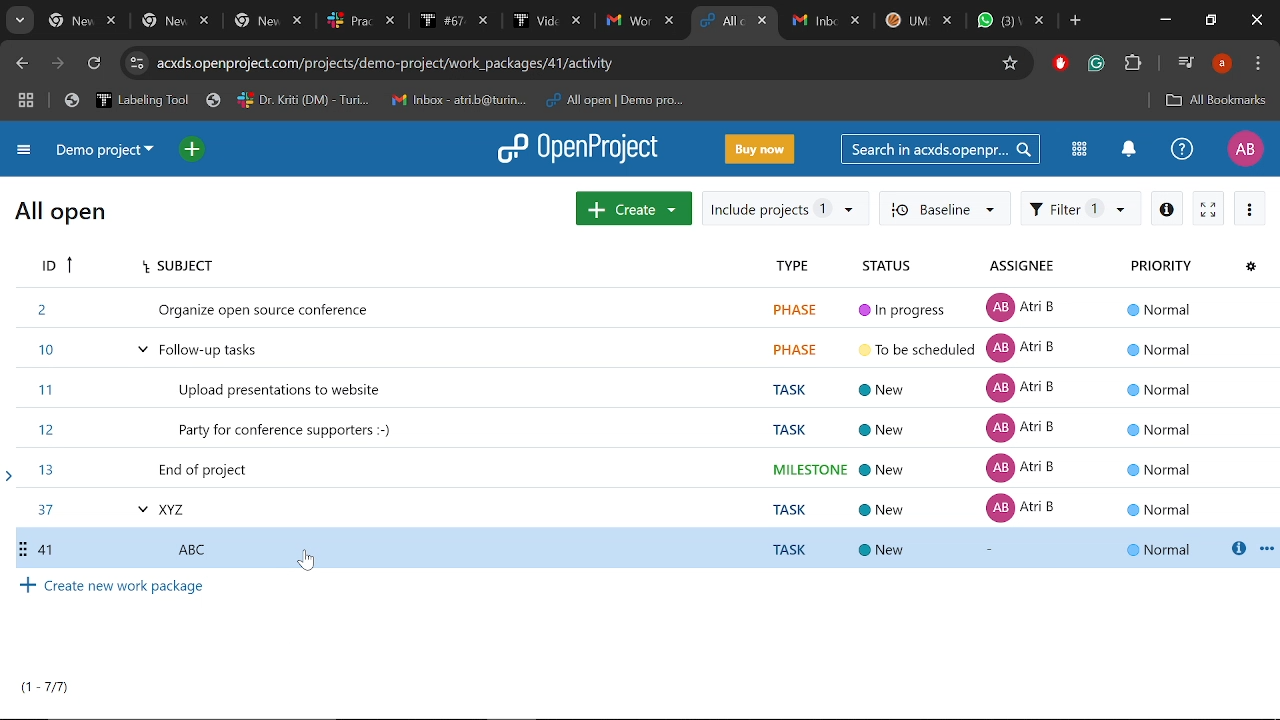 The height and width of the screenshot is (720, 1280). What do you see at coordinates (1030, 266) in the screenshot?
I see `Assignee` at bounding box center [1030, 266].